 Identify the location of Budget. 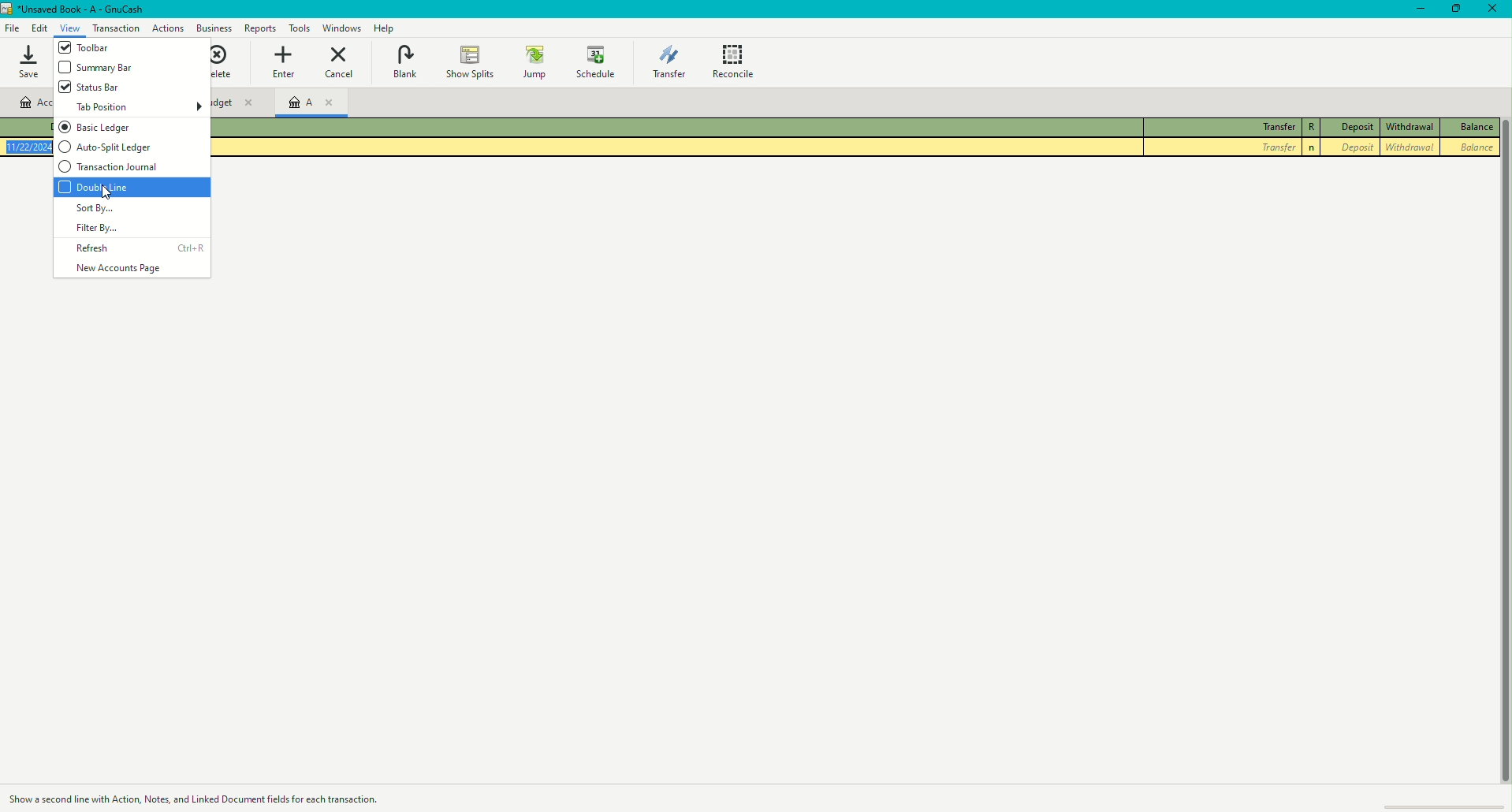
(243, 102).